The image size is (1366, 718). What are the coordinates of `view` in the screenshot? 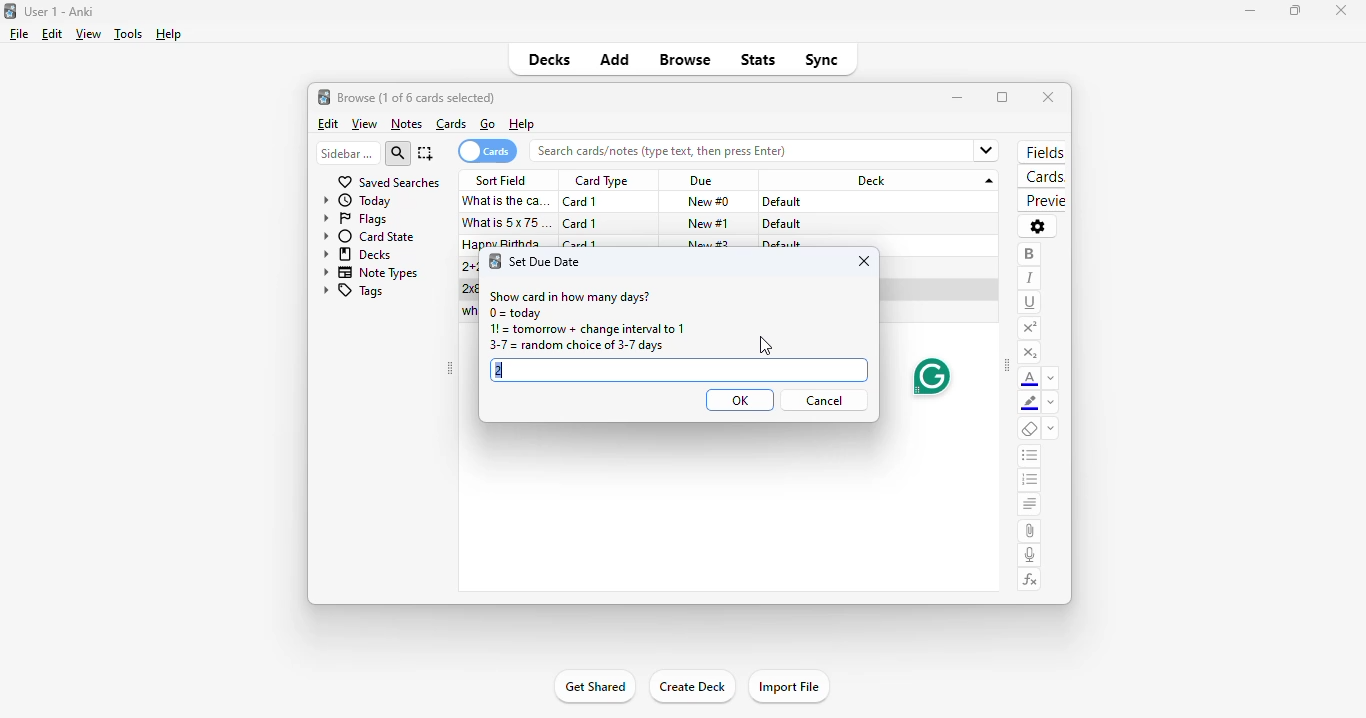 It's located at (87, 34).